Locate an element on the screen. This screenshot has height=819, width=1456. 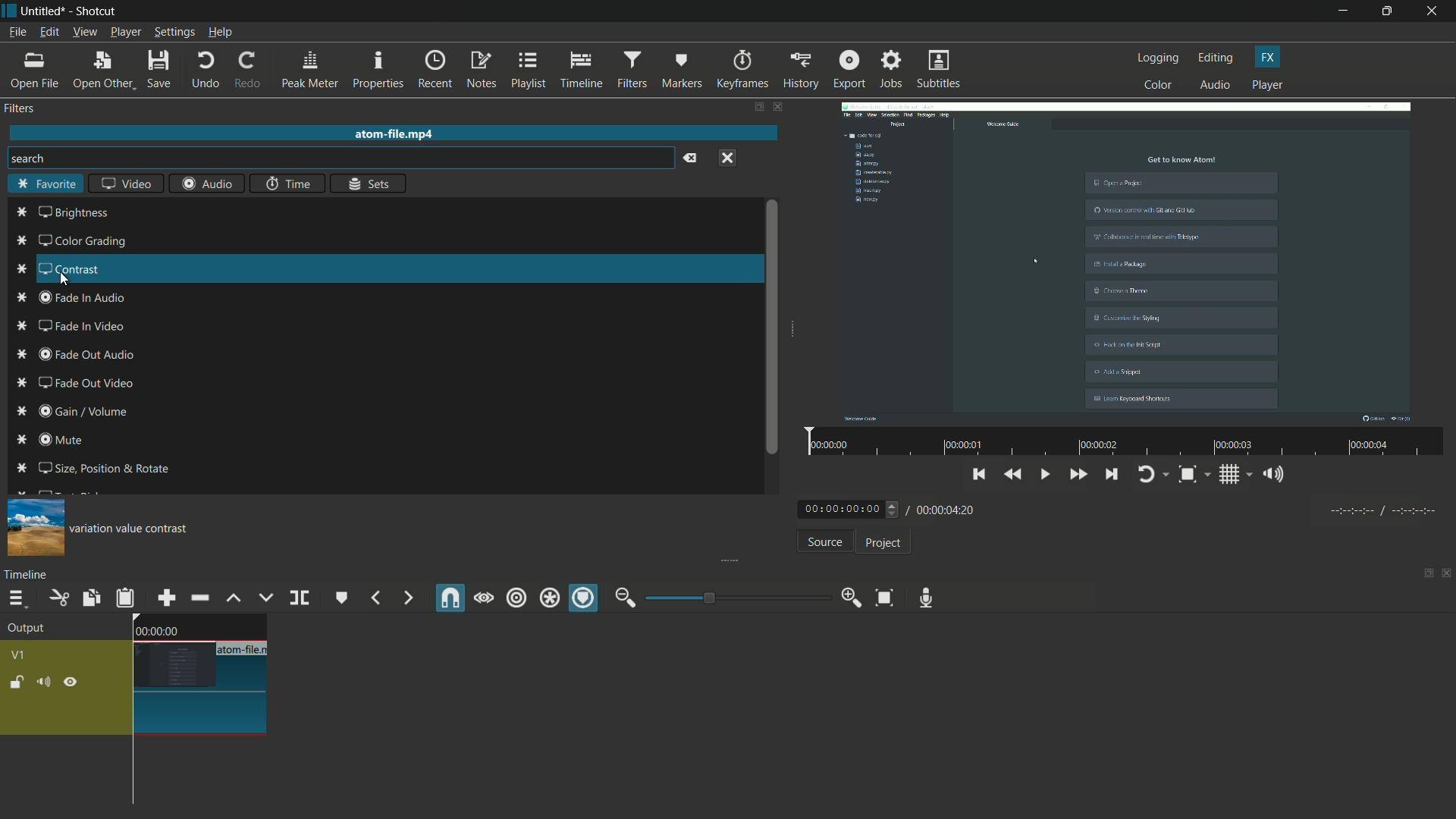
player menu is located at coordinates (127, 32).